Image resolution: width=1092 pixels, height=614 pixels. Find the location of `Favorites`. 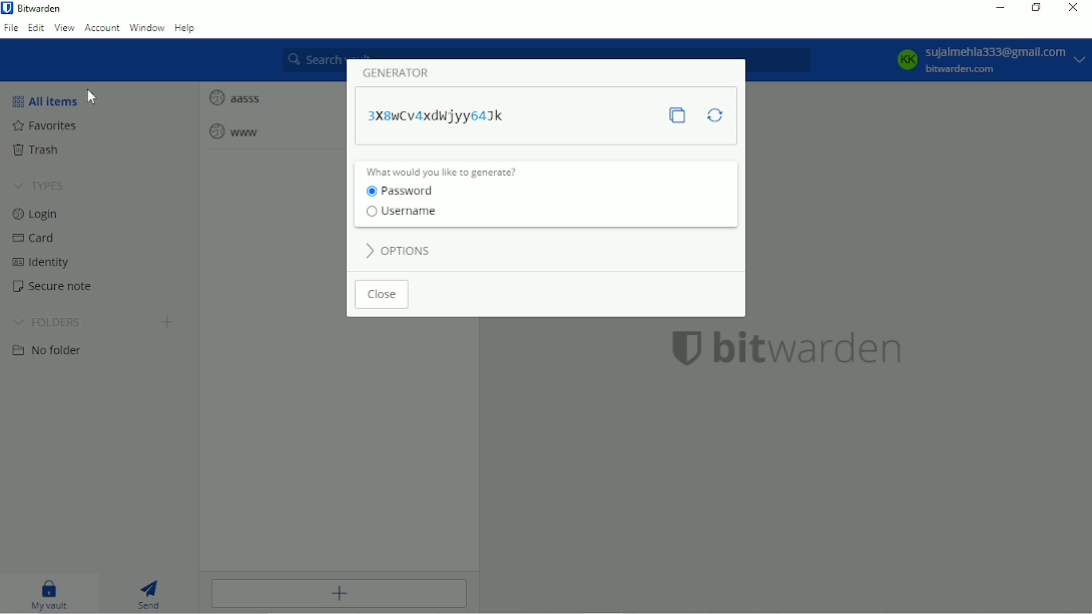

Favorites is located at coordinates (48, 126).